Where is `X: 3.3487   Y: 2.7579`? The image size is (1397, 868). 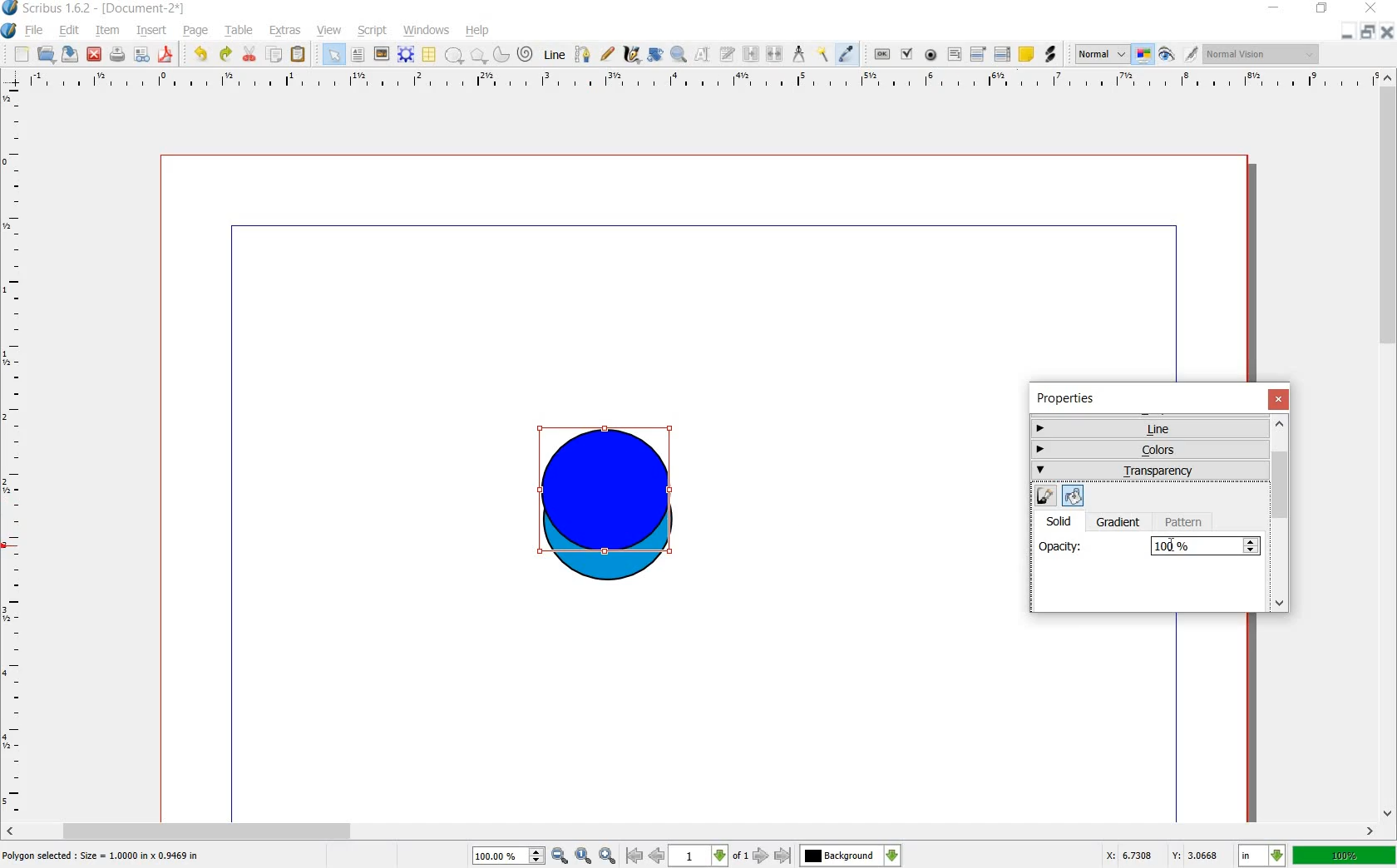 X: 3.3487   Y: 2.7579 is located at coordinates (1163, 855).